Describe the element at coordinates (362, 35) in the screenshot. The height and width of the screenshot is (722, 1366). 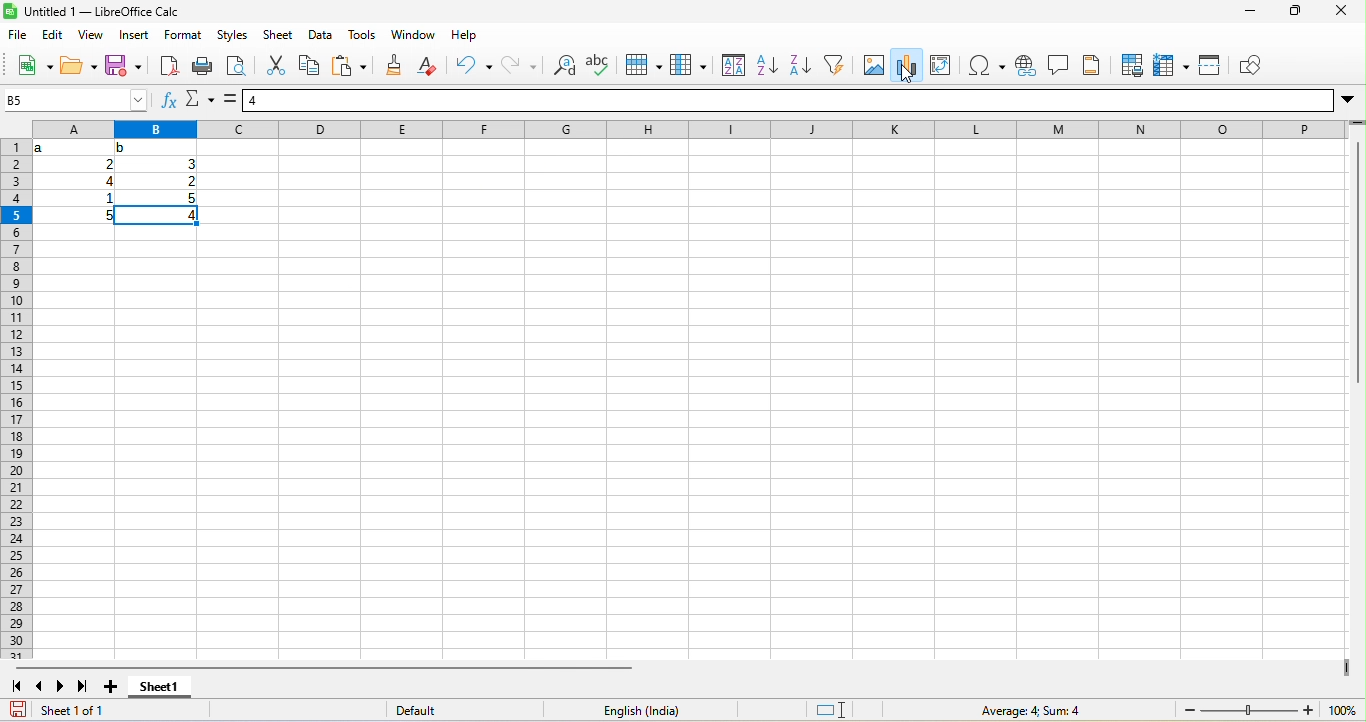
I see `tools` at that location.